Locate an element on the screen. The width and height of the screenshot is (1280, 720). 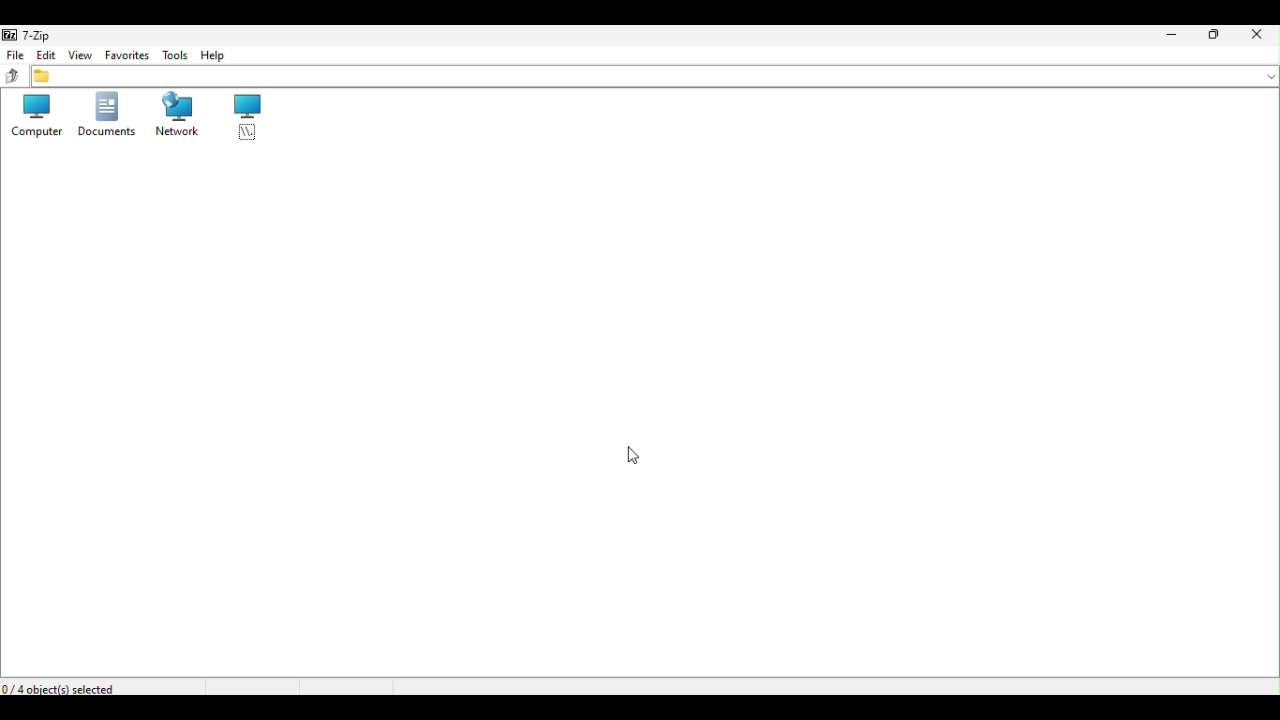
help is located at coordinates (223, 57).